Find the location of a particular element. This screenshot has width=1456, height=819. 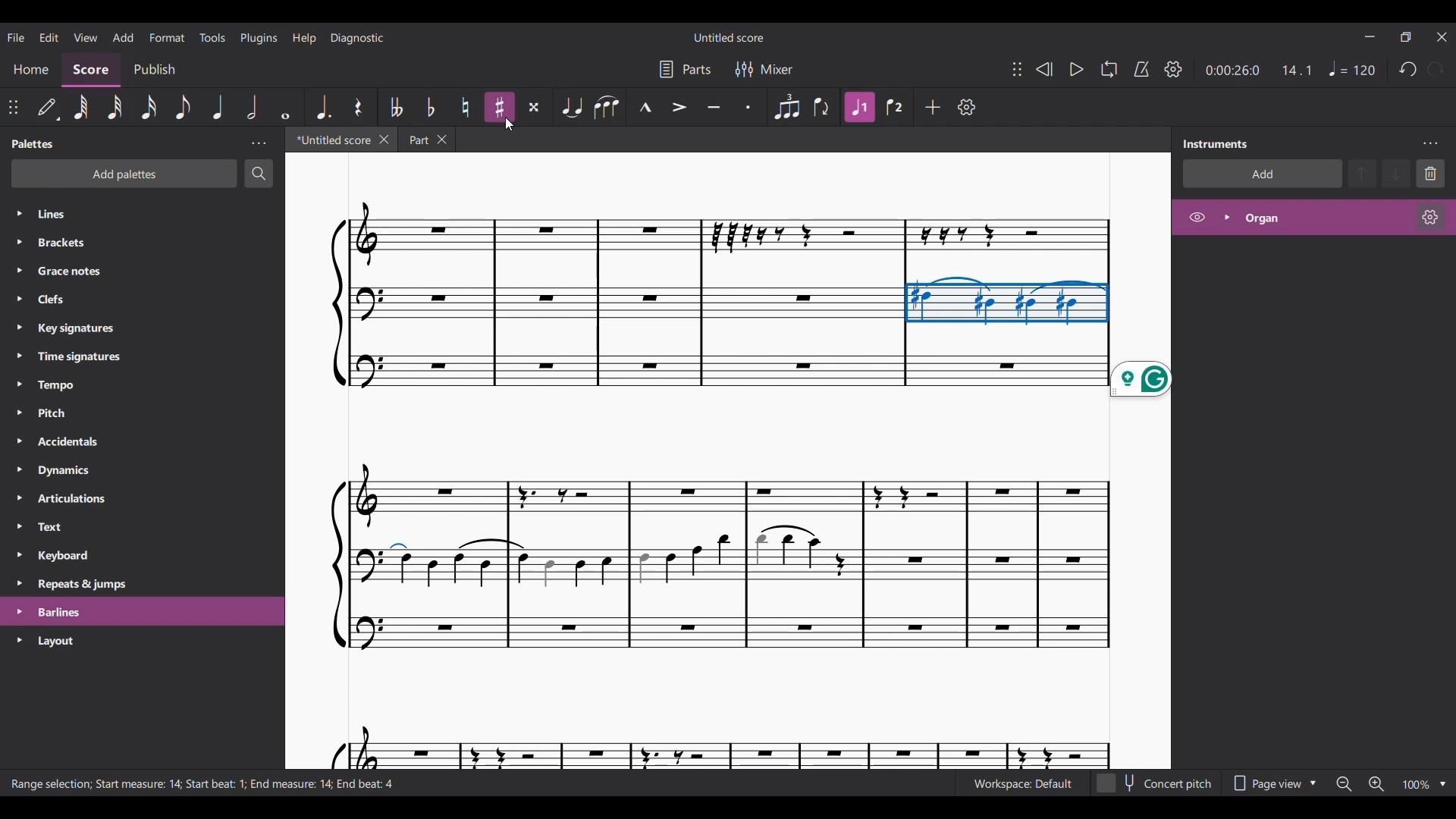

Add instrument is located at coordinates (1261, 173).